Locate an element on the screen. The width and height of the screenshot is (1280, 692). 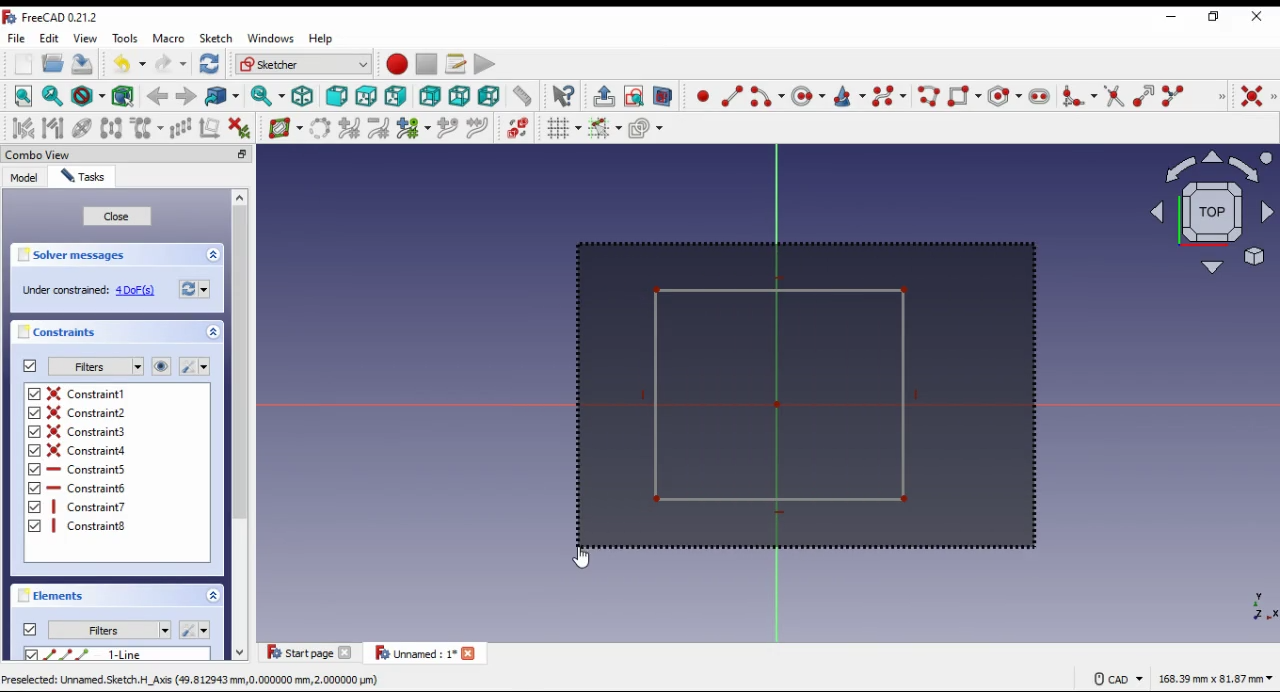
toggle grid is located at coordinates (563, 128).